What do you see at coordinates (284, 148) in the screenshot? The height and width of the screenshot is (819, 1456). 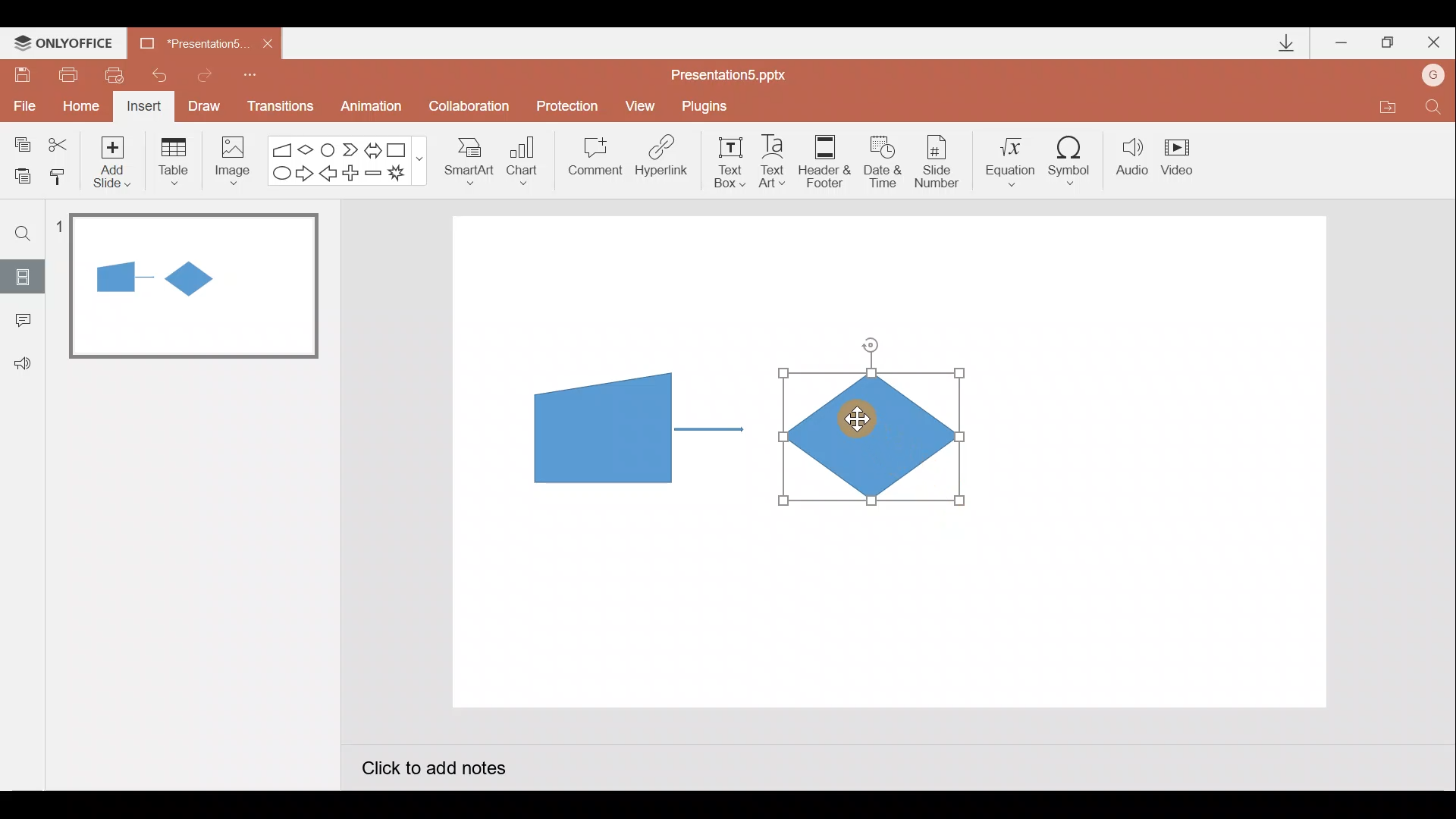 I see `Flowchart - manual input` at bounding box center [284, 148].